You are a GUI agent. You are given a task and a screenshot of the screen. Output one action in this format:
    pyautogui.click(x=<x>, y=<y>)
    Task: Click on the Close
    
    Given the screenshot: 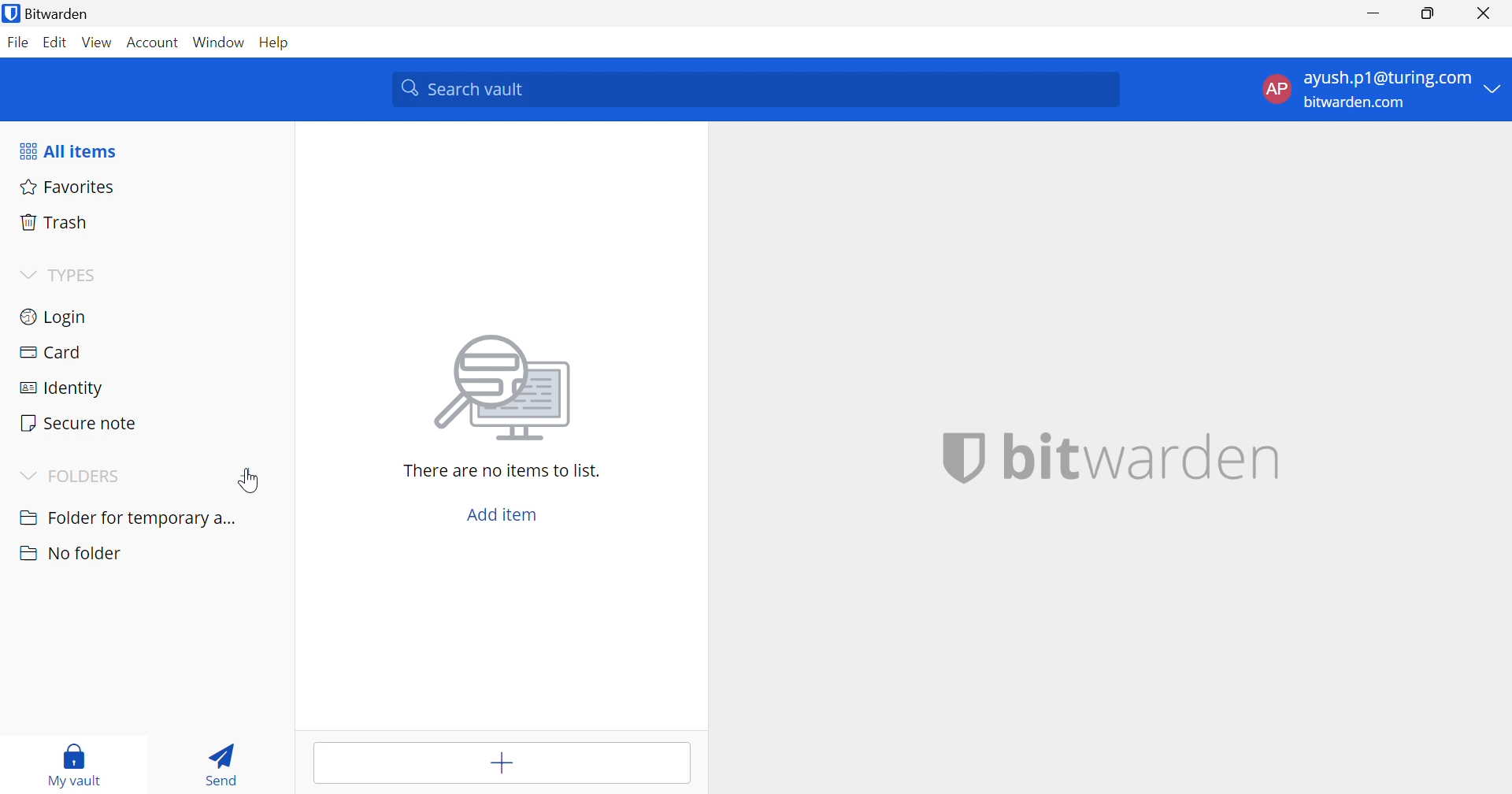 What is the action you would take?
    pyautogui.click(x=1482, y=13)
    